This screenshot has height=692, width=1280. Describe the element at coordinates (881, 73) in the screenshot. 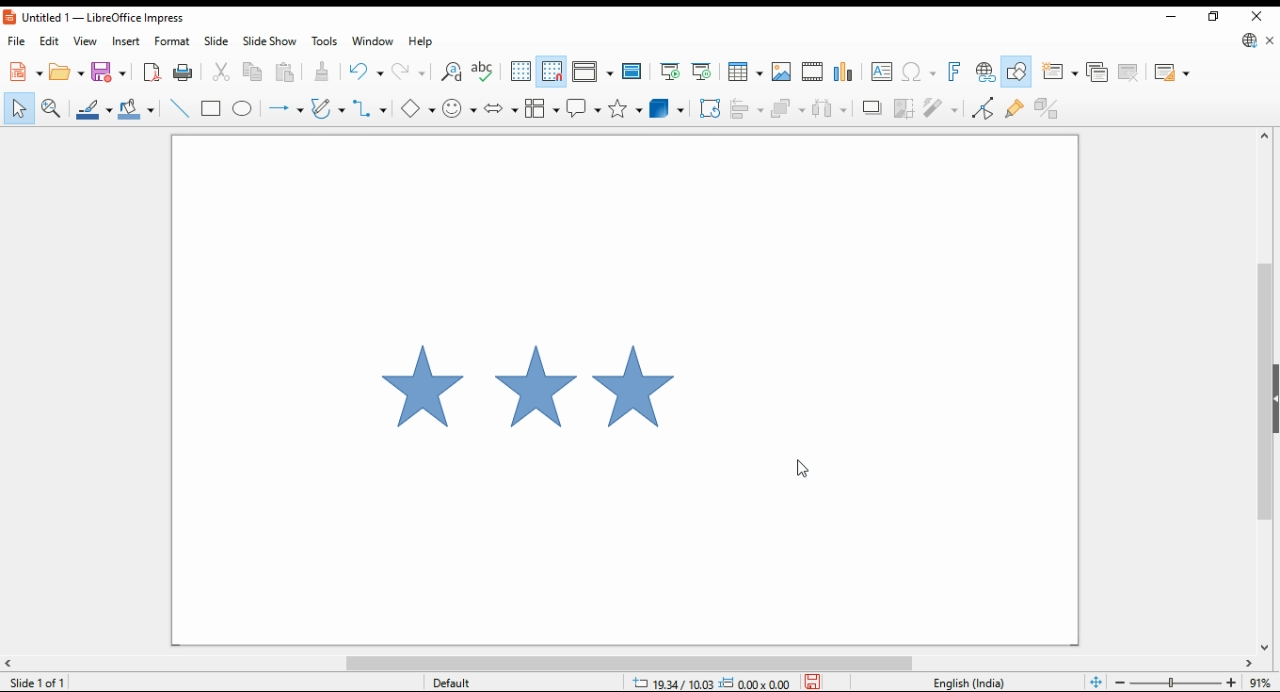

I see `insert textbox` at that location.